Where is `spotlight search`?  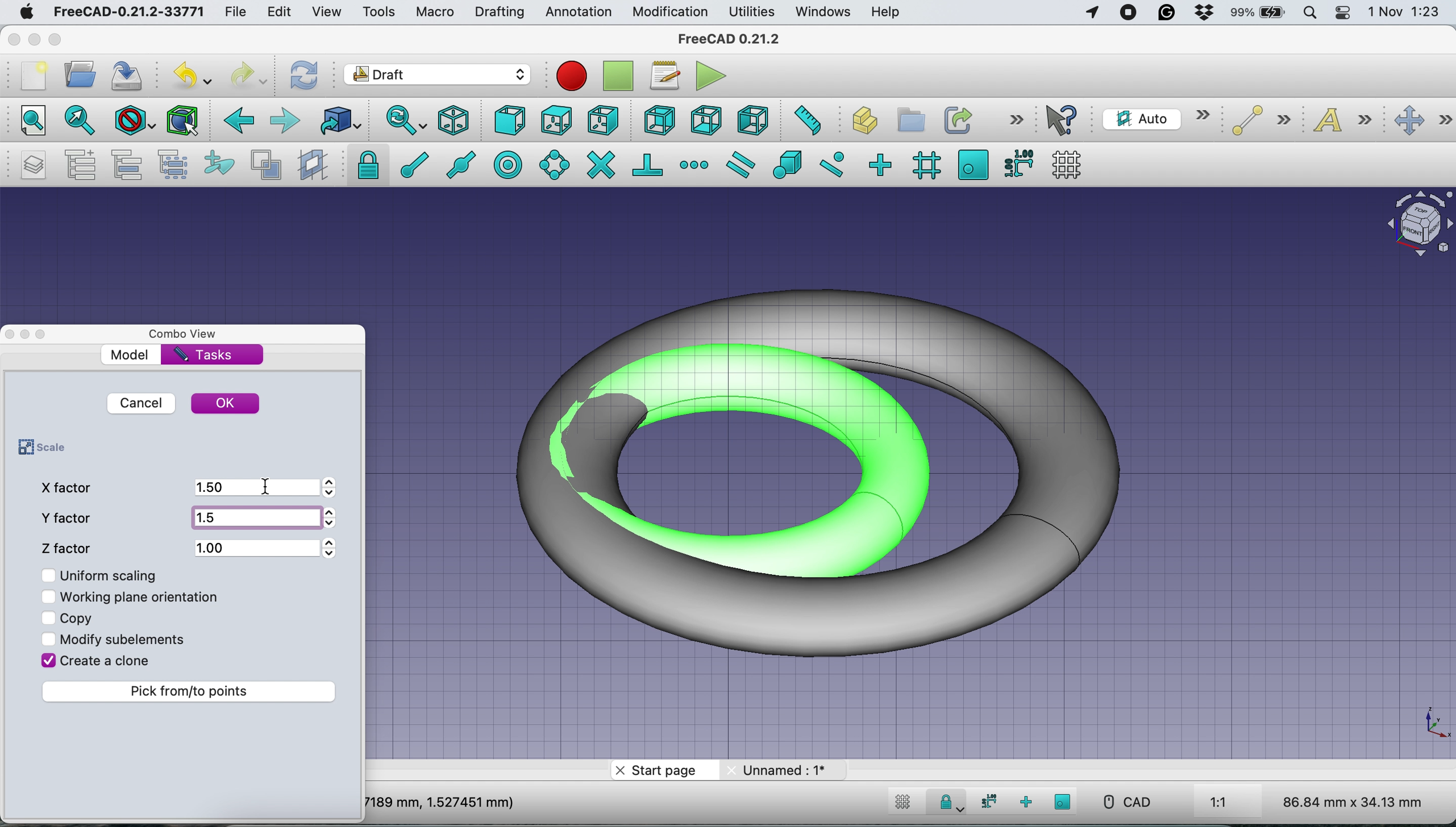
spotlight search is located at coordinates (1312, 11).